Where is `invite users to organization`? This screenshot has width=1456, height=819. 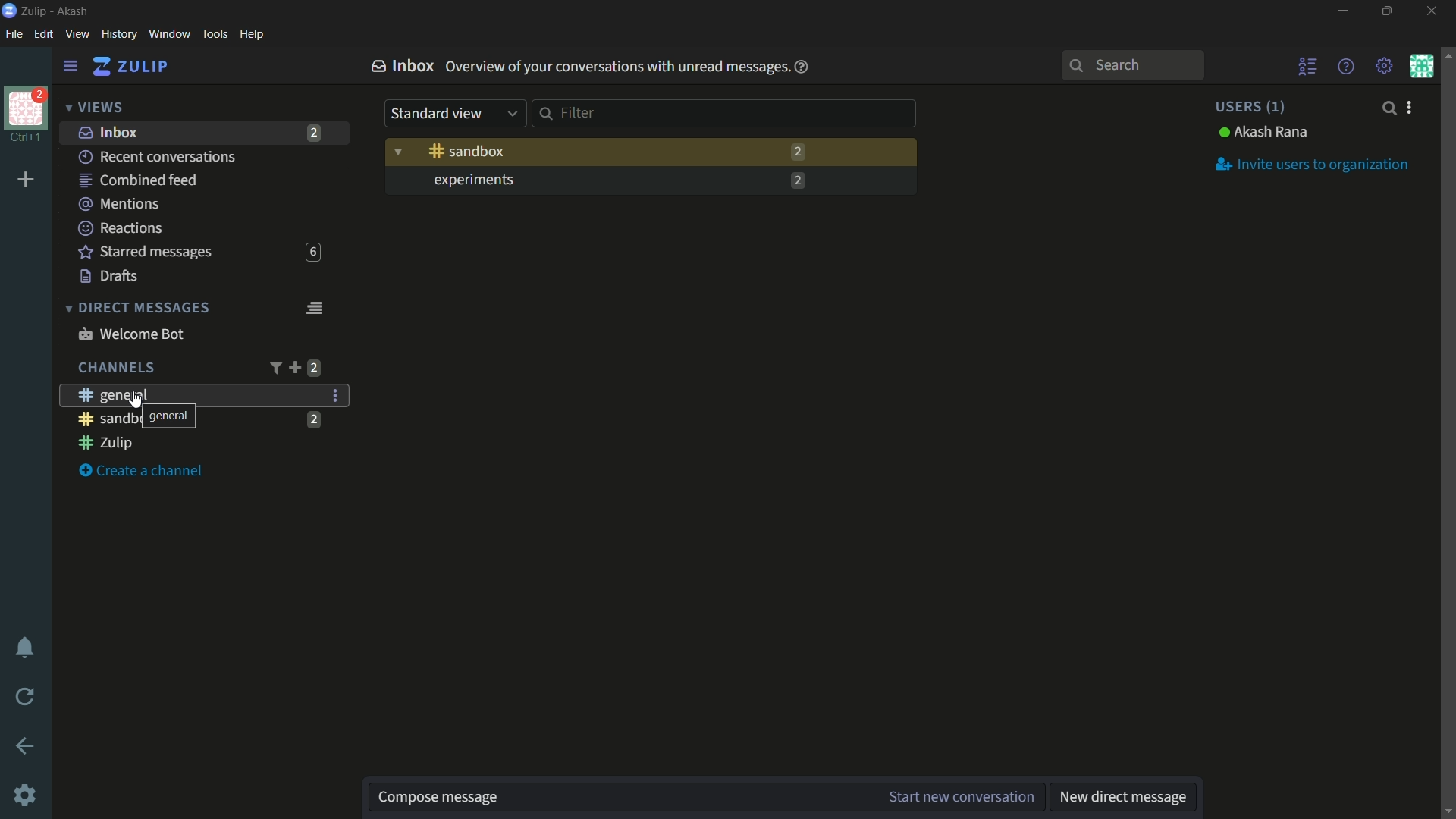 invite users to organization is located at coordinates (1312, 163).